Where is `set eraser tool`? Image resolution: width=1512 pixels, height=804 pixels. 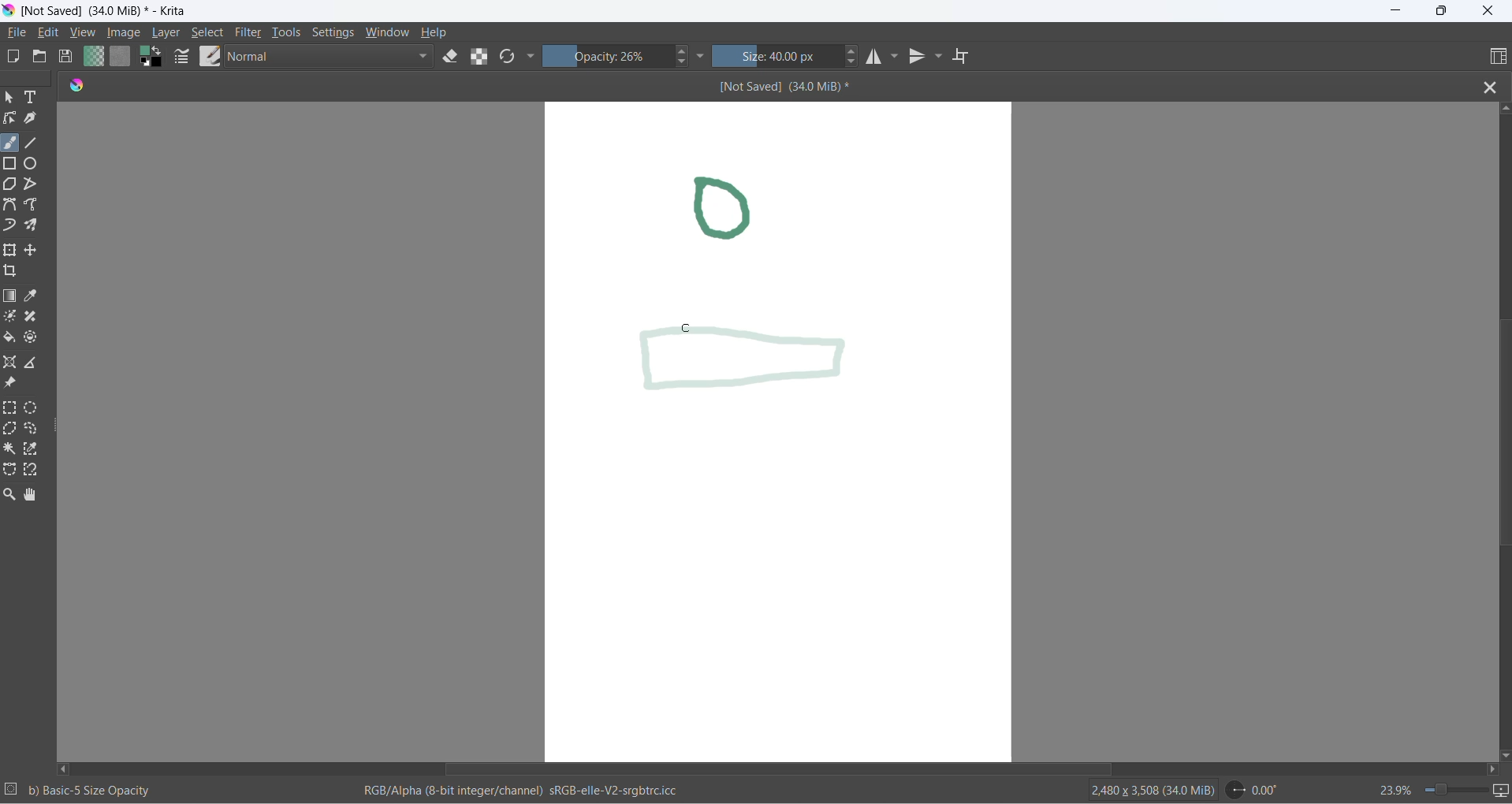
set eraser tool is located at coordinates (451, 57).